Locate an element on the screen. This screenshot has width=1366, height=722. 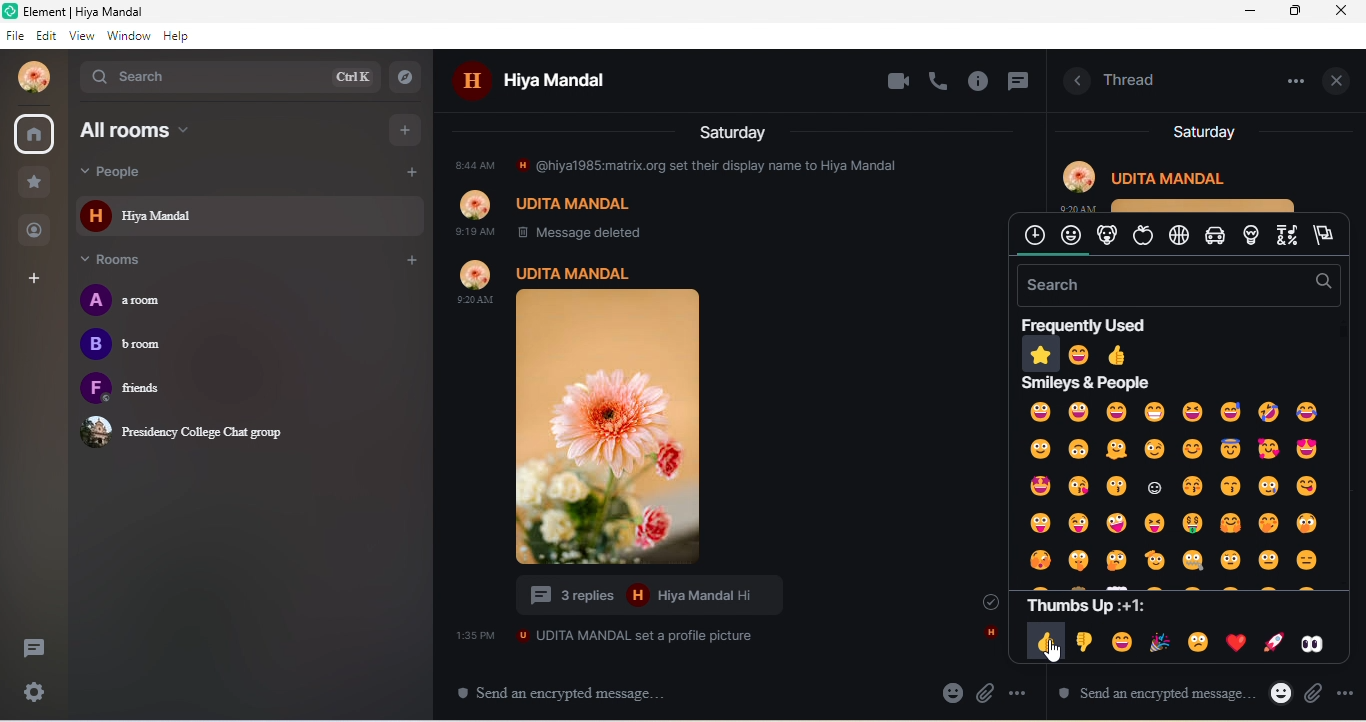
create a space is located at coordinates (36, 280).